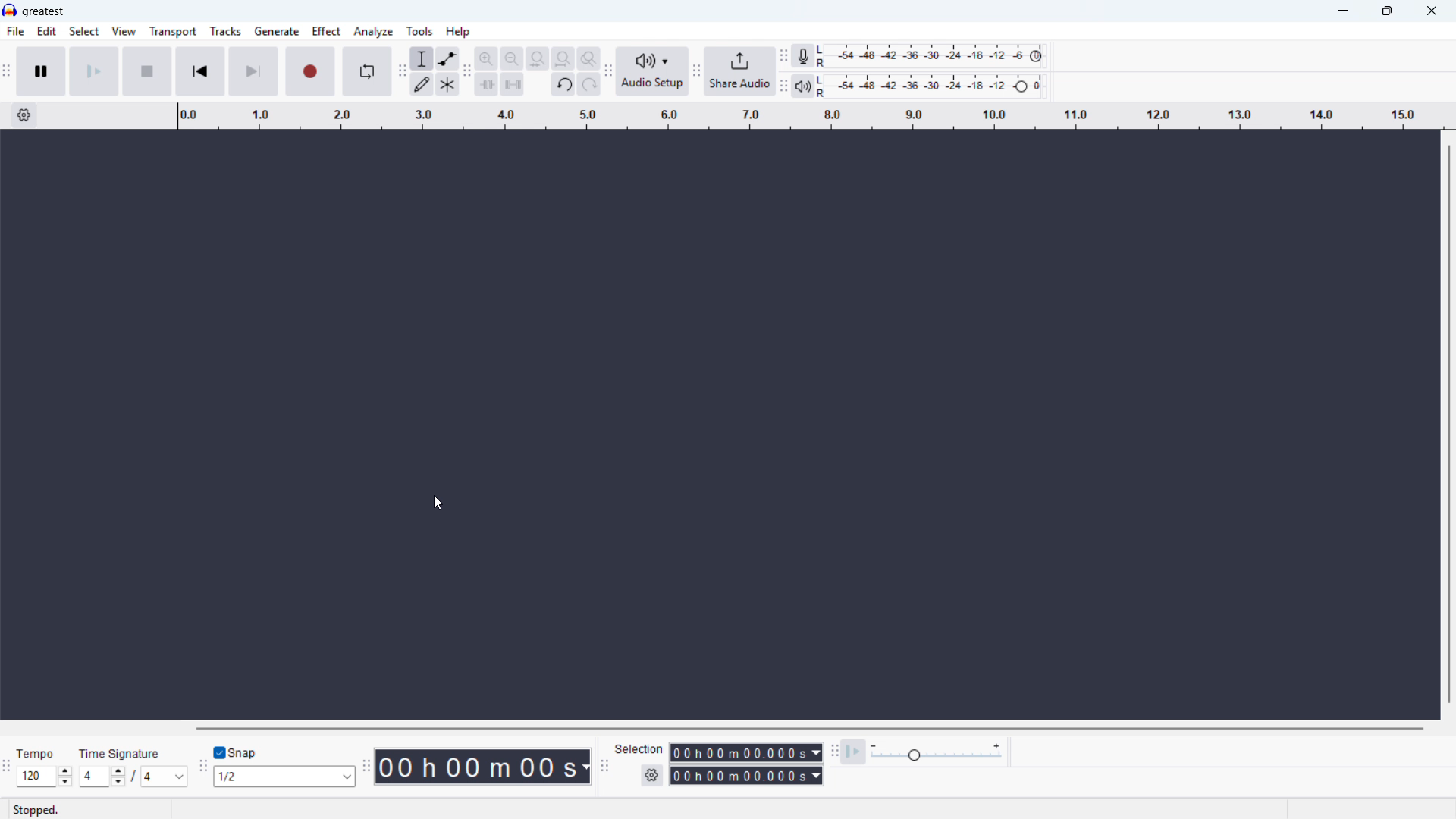 The height and width of the screenshot is (819, 1456). Describe the element at coordinates (457, 32) in the screenshot. I see `Help ` at that location.